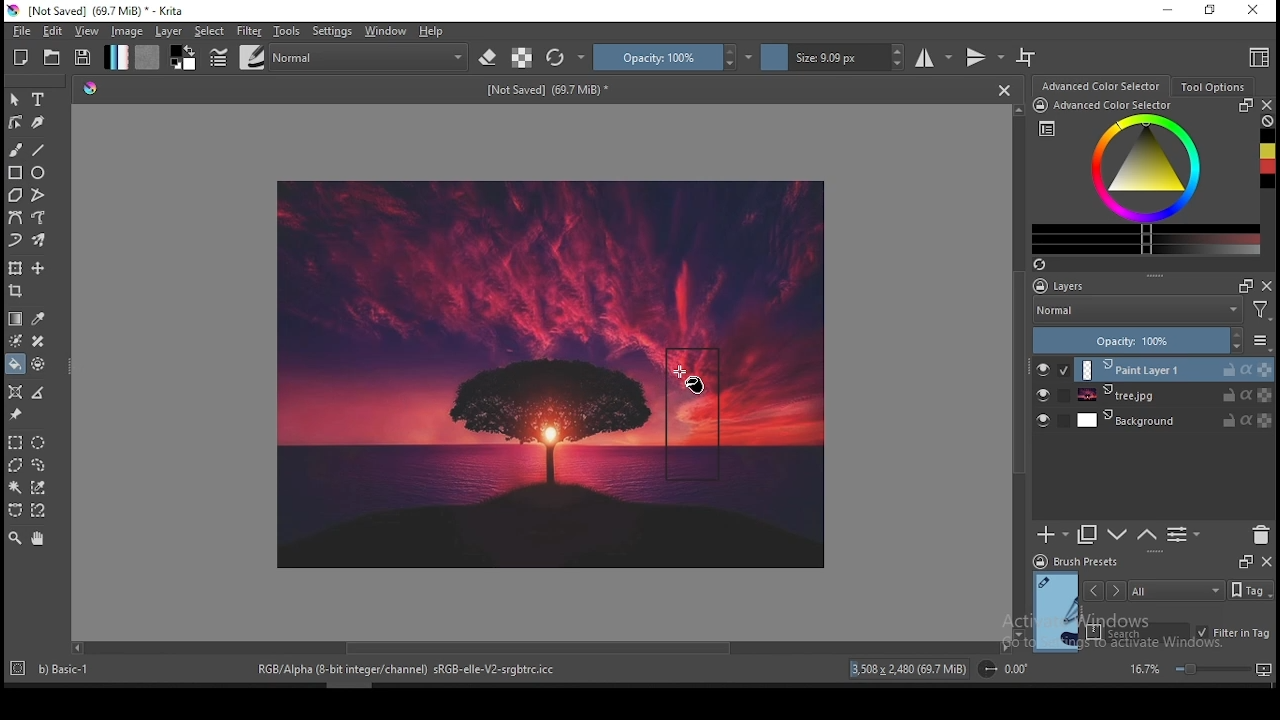 This screenshot has height=720, width=1280. Describe the element at coordinates (16, 340) in the screenshot. I see `colorize mask tool` at that location.